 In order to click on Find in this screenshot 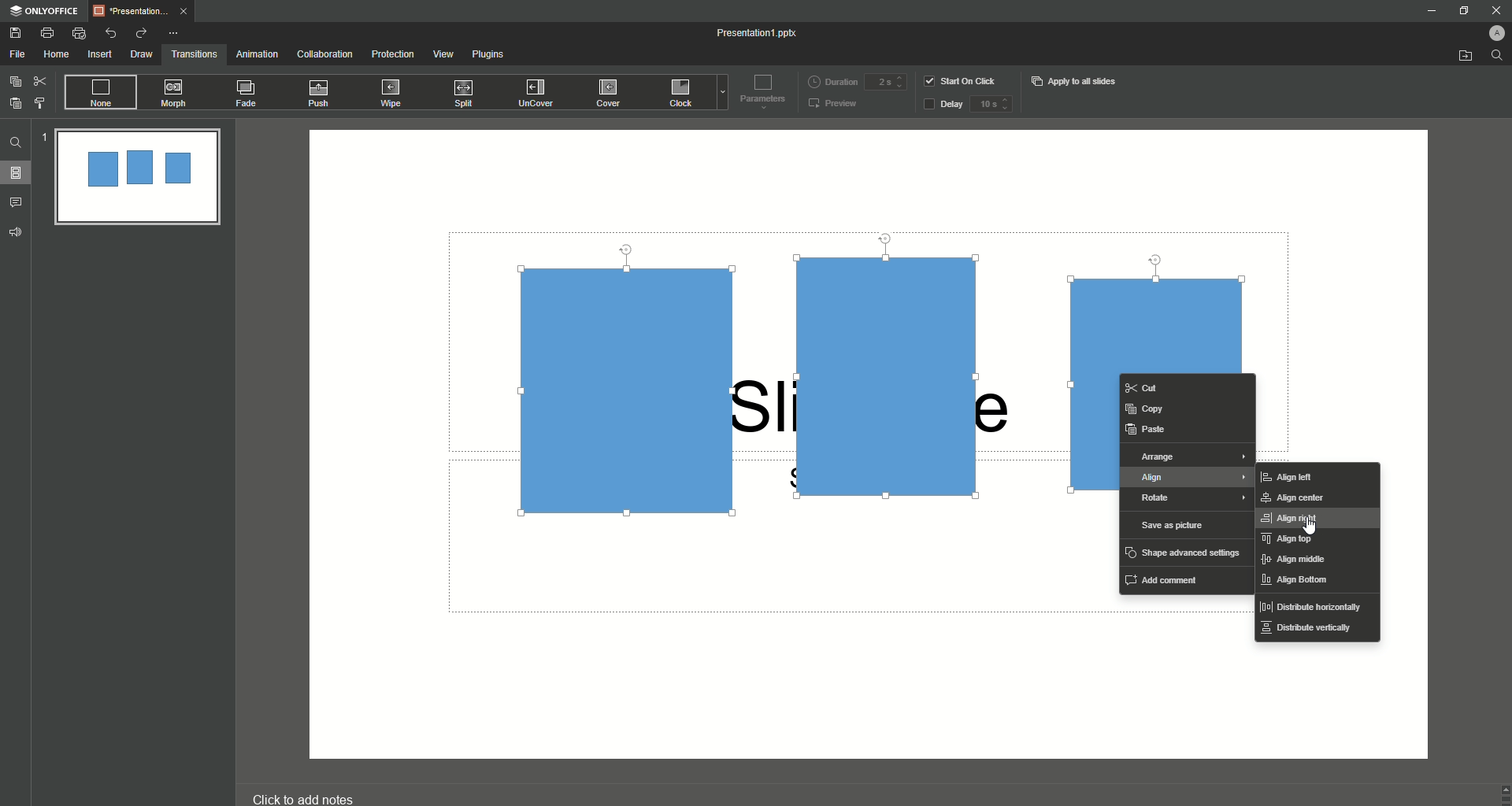, I will do `click(16, 142)`.